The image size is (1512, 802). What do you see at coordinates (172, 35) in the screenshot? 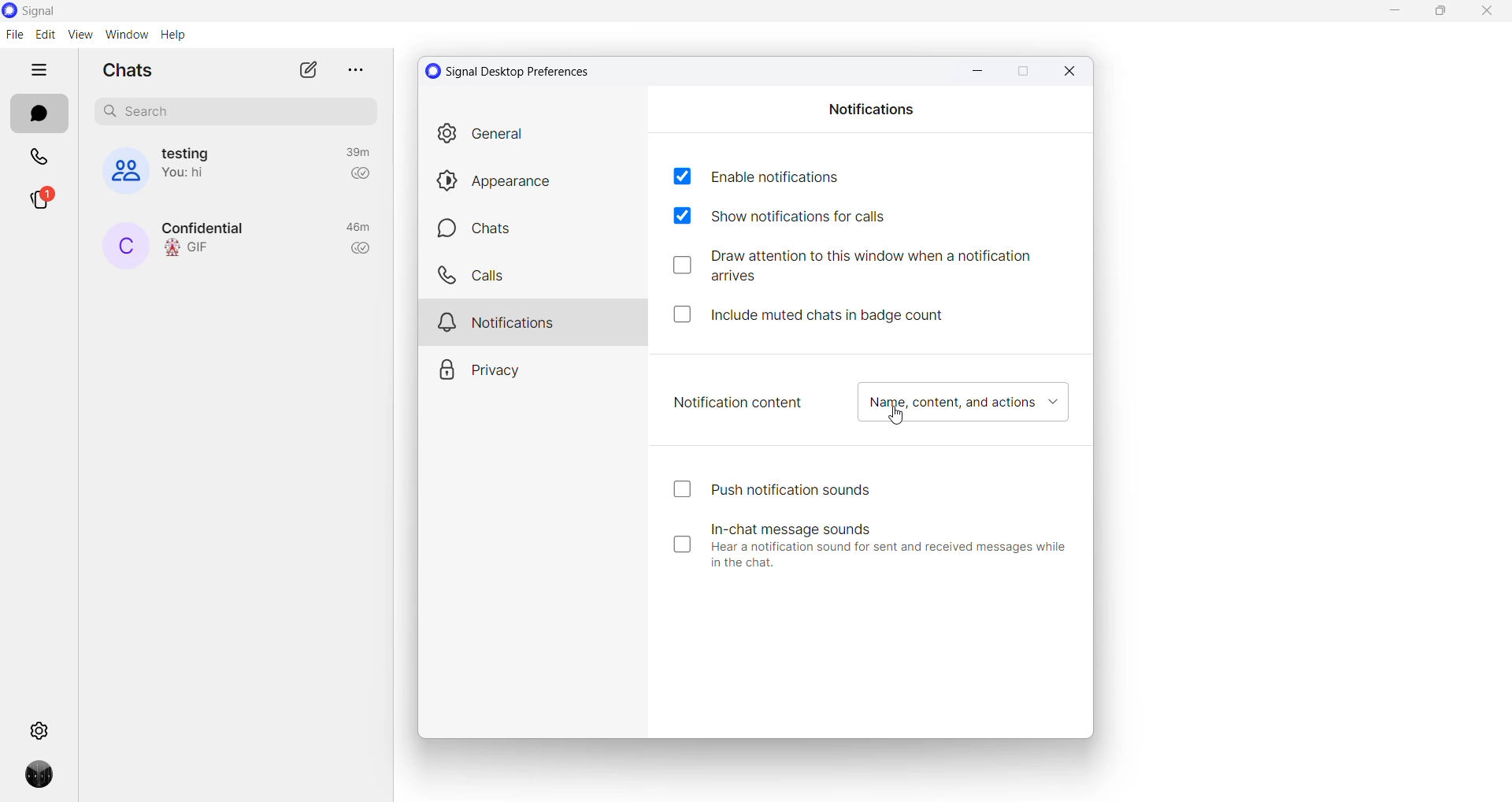
I see `help` at bounding box center [172, 35].